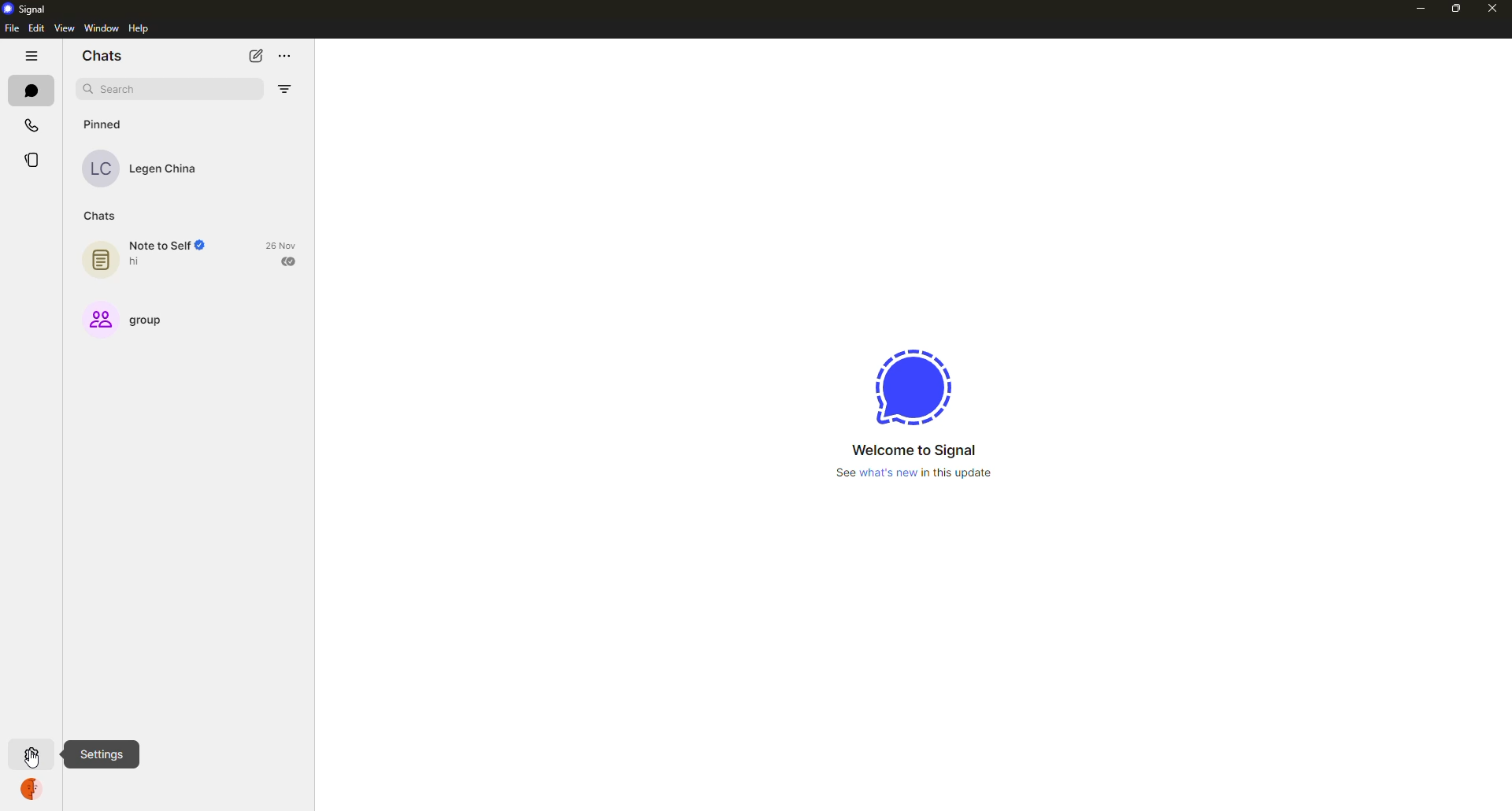  Describe the element at coordinates (921, 473) in the screenshot. I see `See what's new in this update` at that location.